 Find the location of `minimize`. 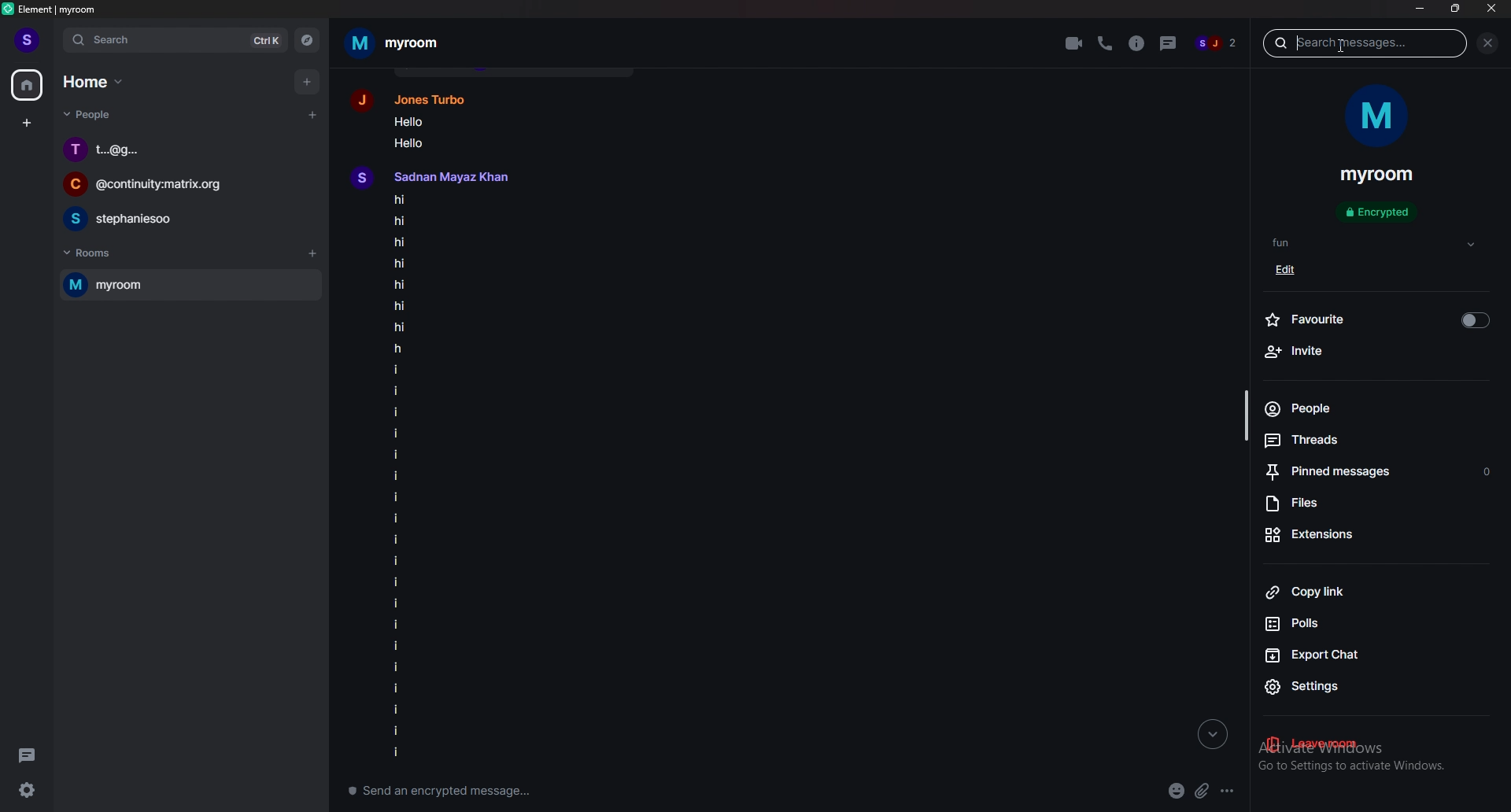

minimize is located at coordinates (1419, 8).